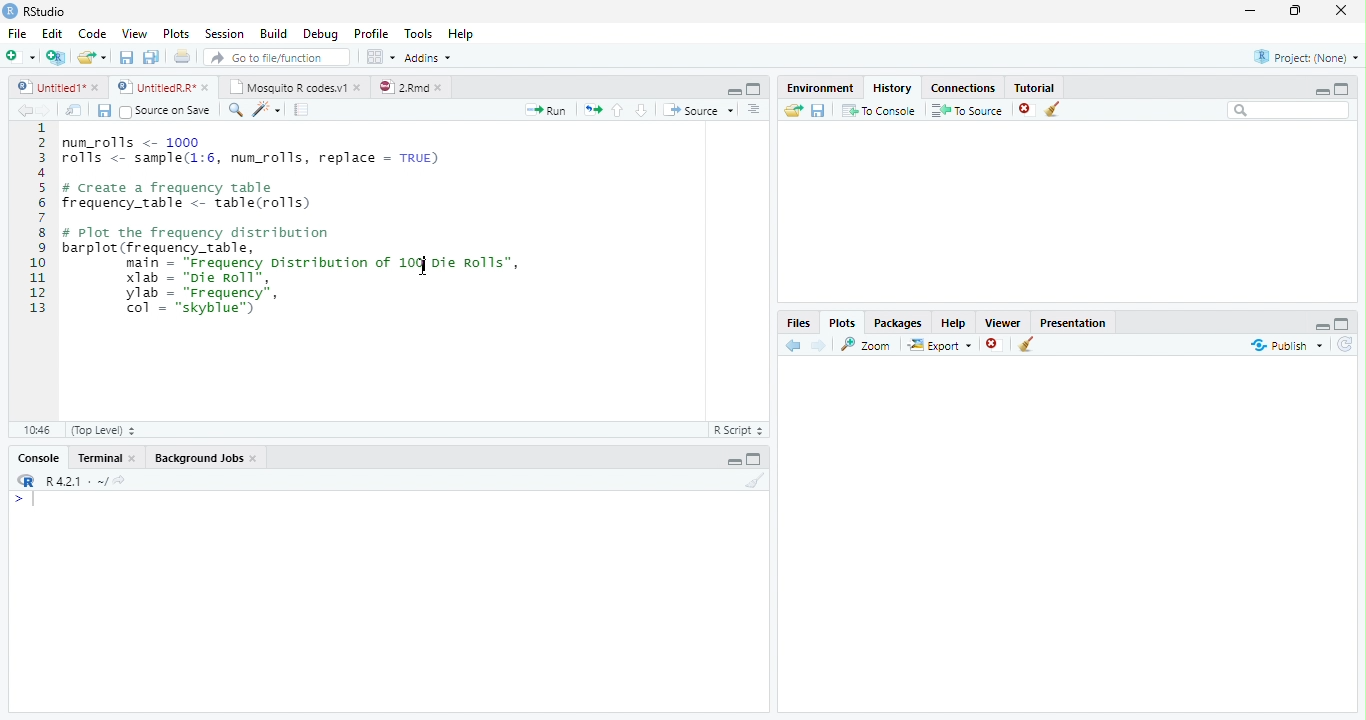  Describe the element at coordinates (57, 87) in the screenshot. I see `Ungitied1*` at that location.